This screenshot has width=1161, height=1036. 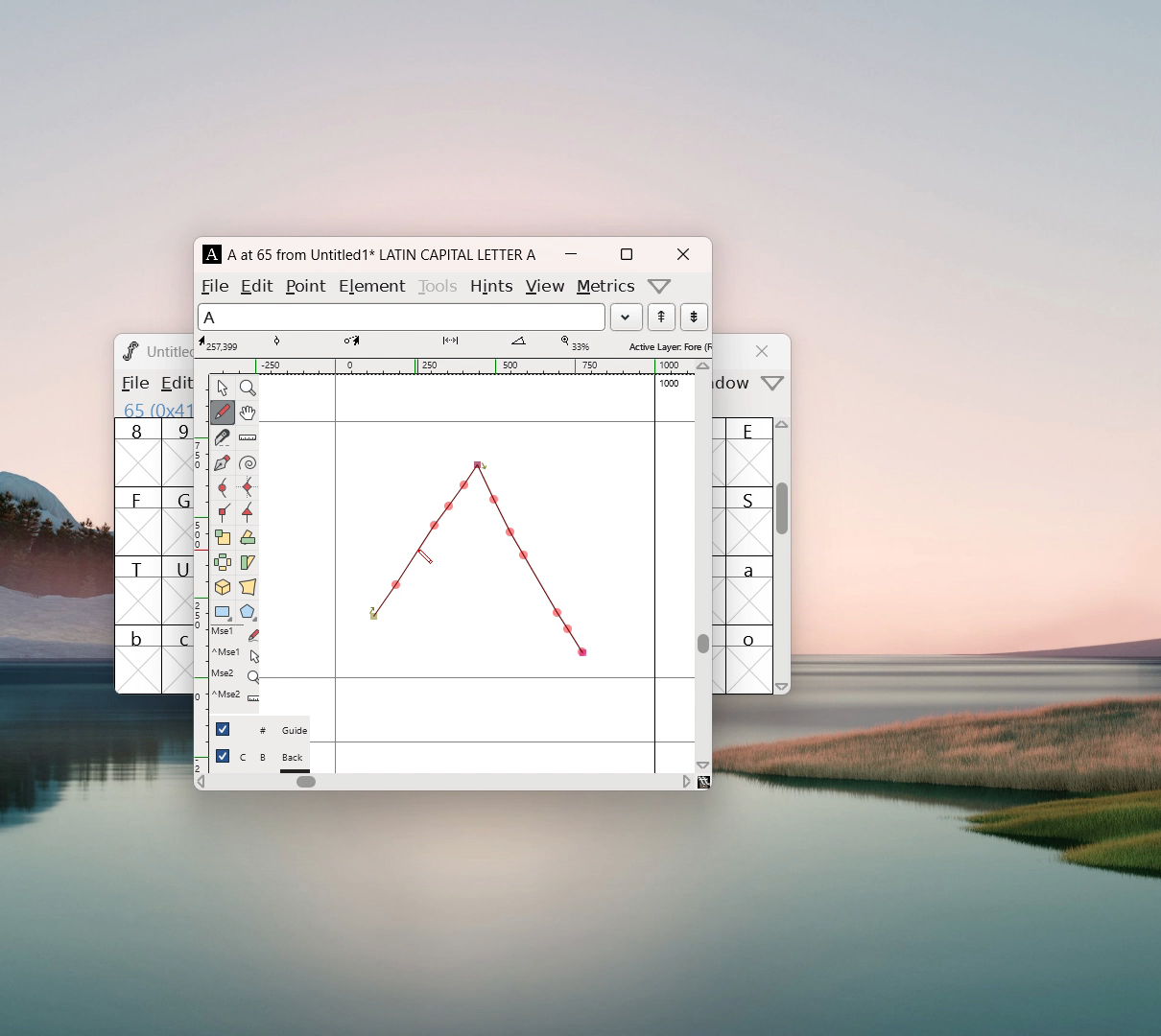 What do you see at coordinates (466, 345) in the screenshot?
I see `distance from starting point` at bounding box center [466, 345].